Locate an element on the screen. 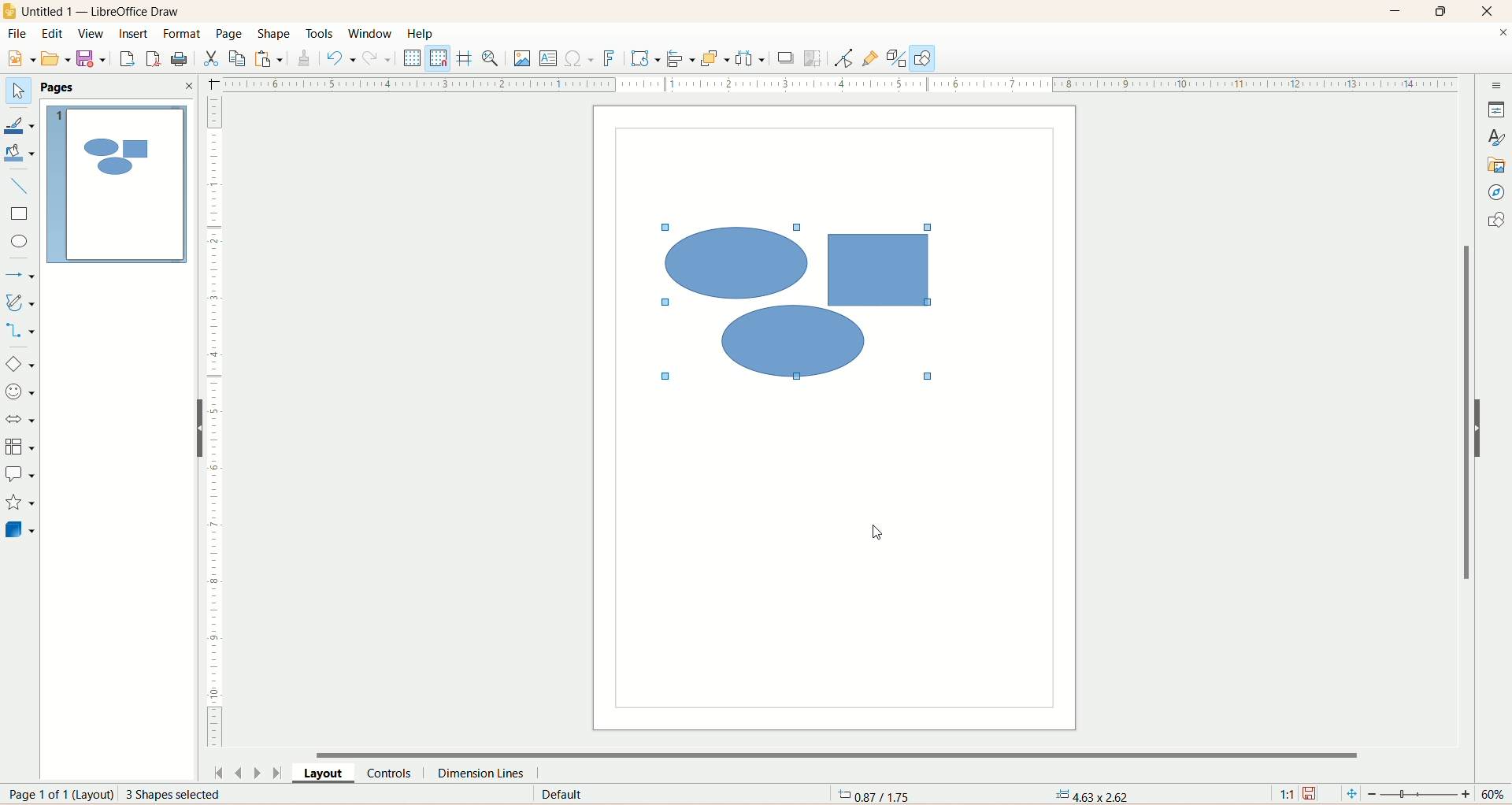 This screenshot has width=1512, height=805. page1 is located at coordinates (114, 183).